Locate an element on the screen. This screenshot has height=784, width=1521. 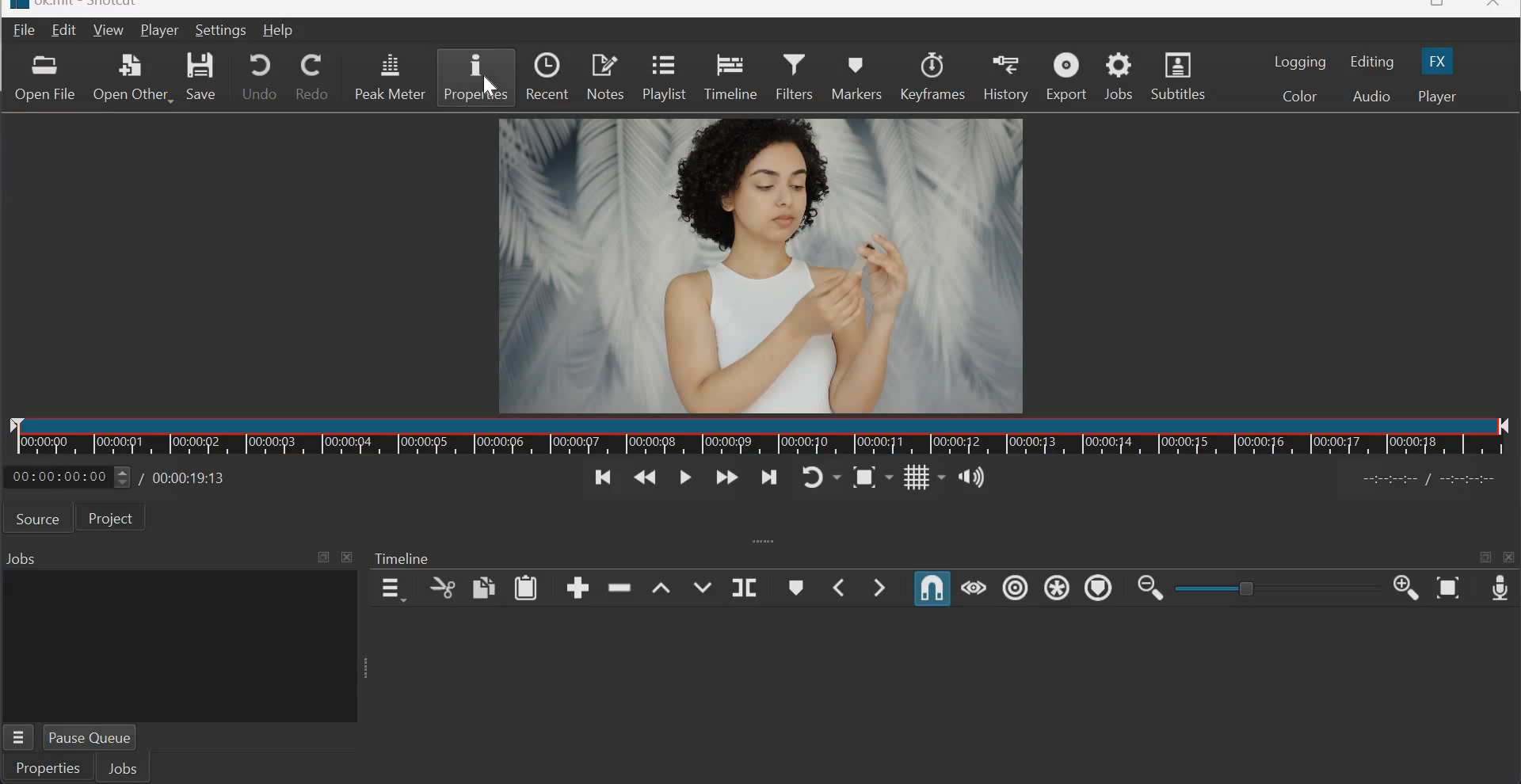
Show the volume control is located at coordinates (974, 474).